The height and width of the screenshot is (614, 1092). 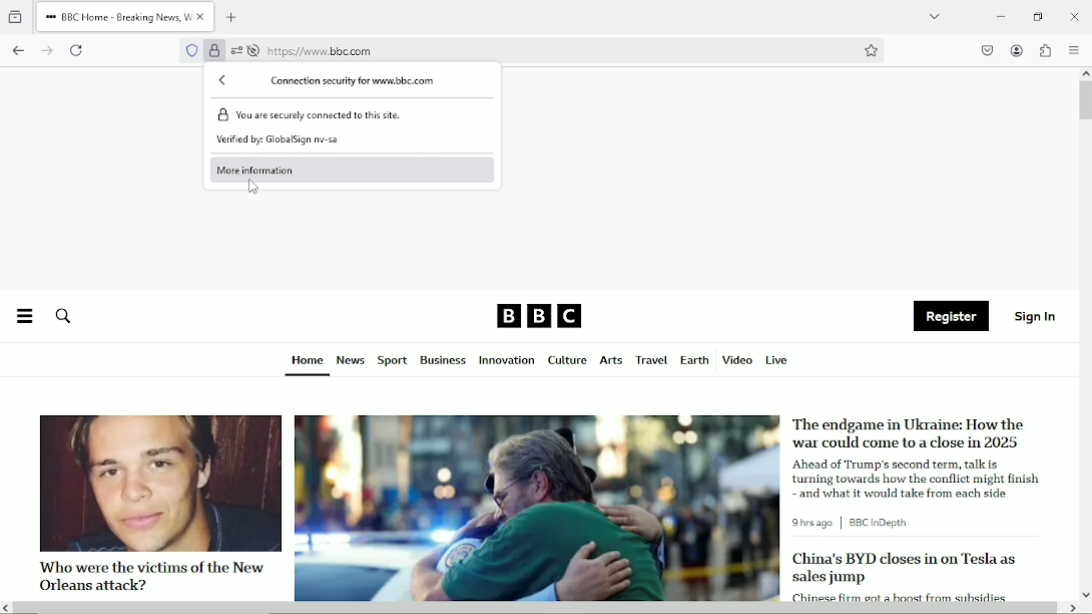 I want to click on Menu, so click(x=24, y=316).